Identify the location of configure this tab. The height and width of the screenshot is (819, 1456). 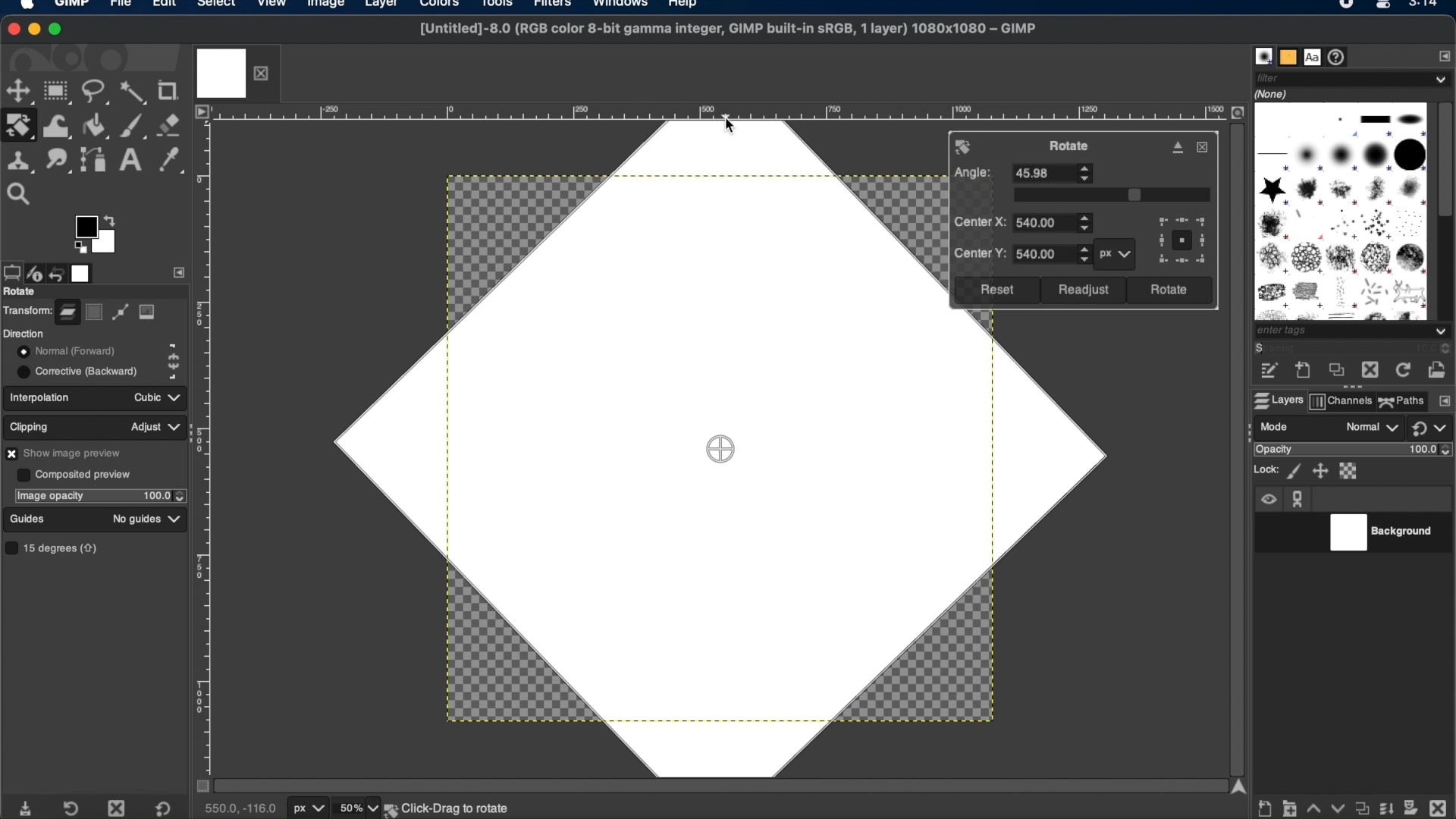
(1442, 55).